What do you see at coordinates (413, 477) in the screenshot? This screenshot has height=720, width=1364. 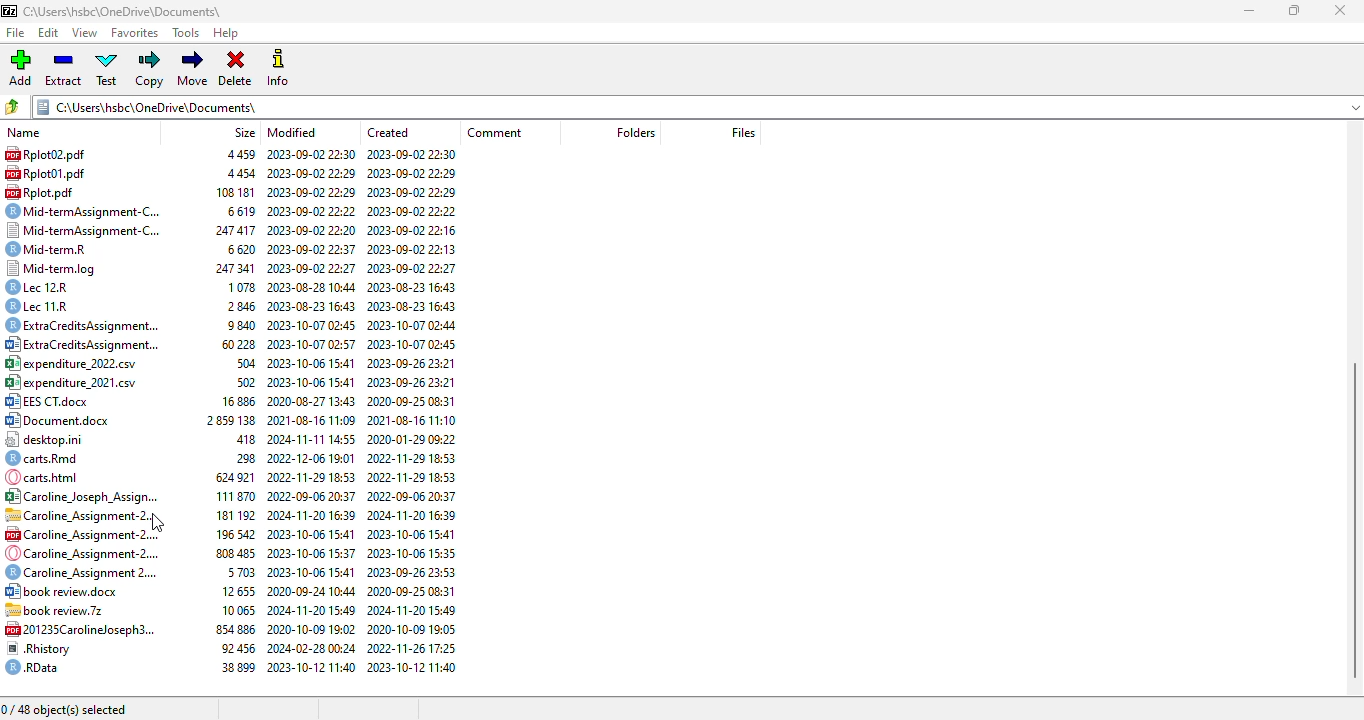 I see `2022-11-29 18:53` at bounding box center [413, 477].